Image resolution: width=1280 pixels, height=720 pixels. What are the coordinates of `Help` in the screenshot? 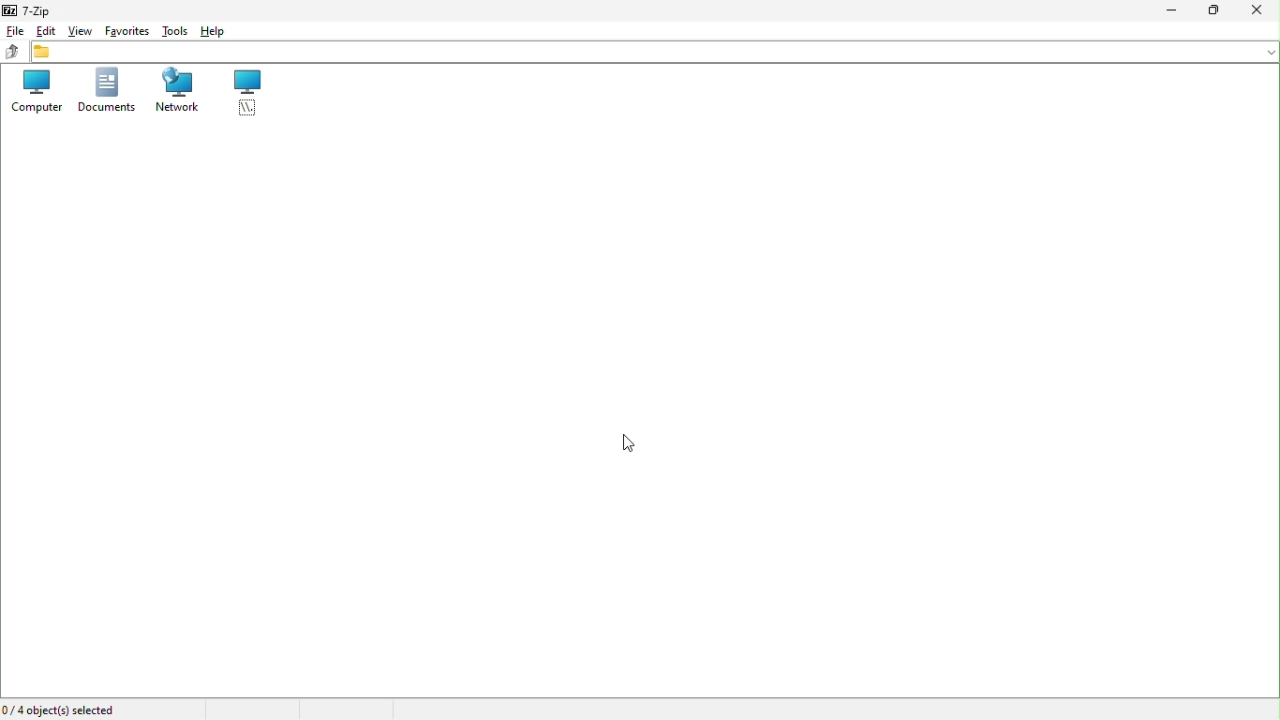 It's located at (219, 28).